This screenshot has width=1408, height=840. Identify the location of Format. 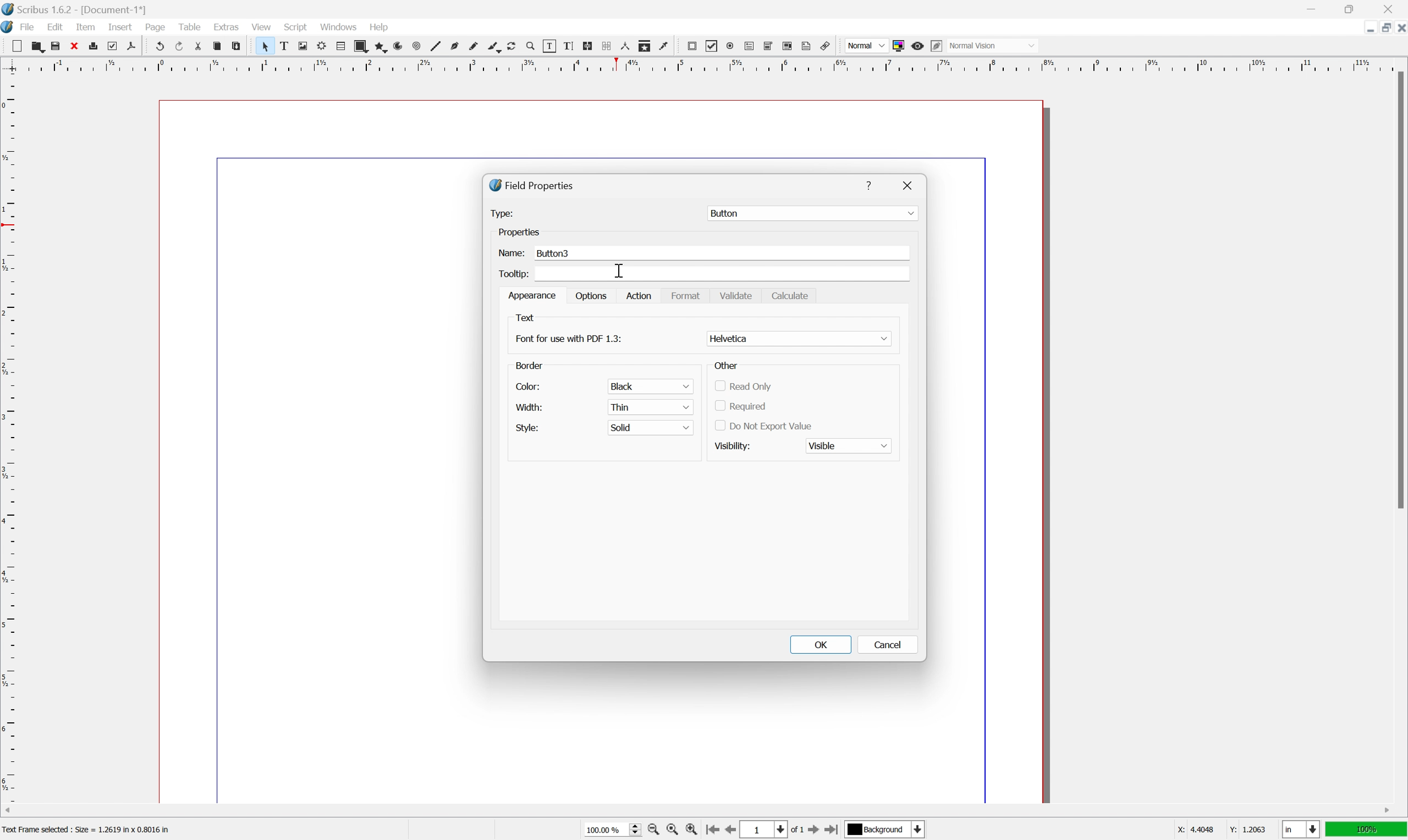
(687, 297).